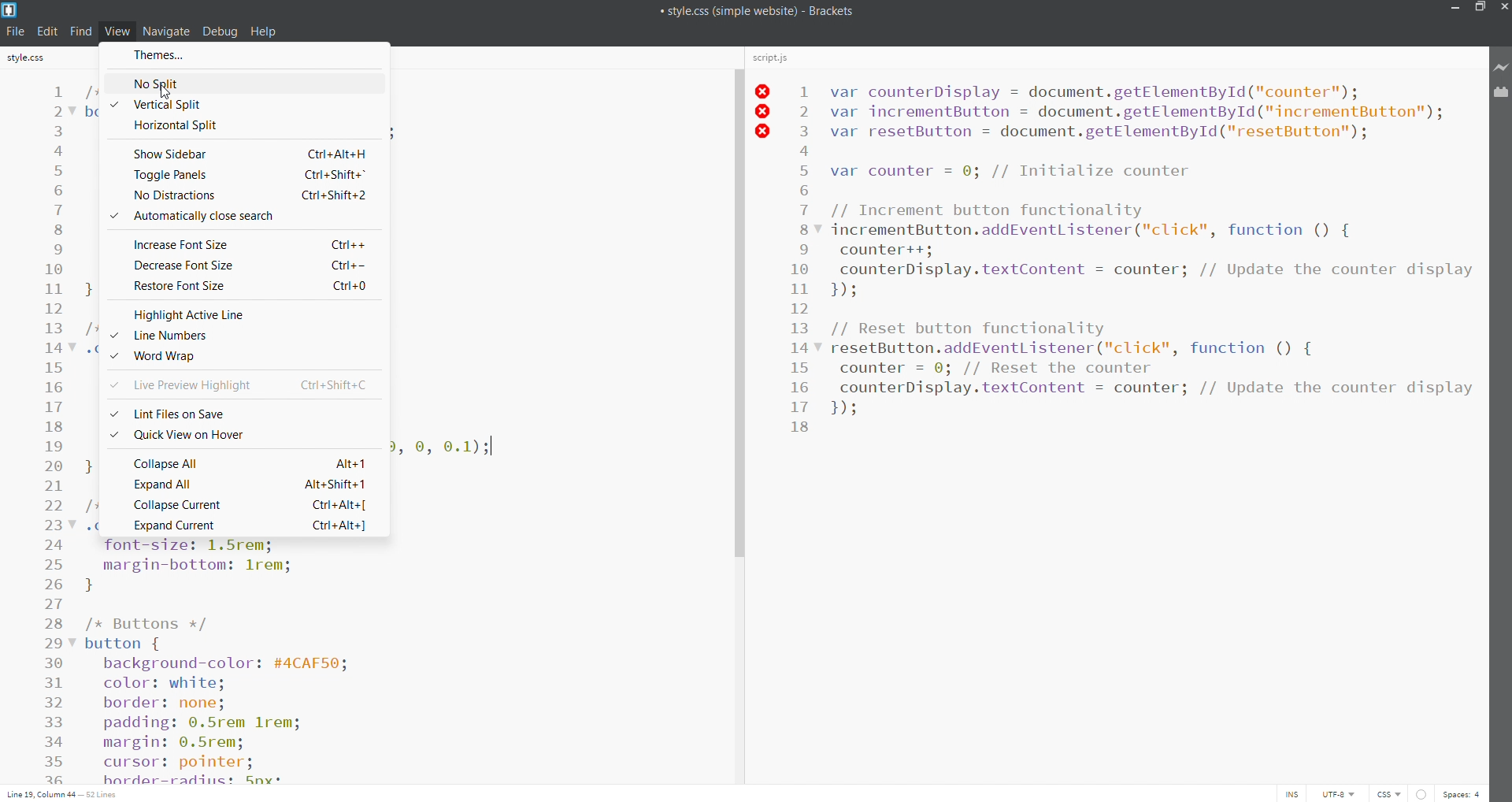 This screenshot has height=802, width=1512. What do you see at coordinates (1336, 793) in the screenshot?
I see `encoding` at bounding box center [1336, 793].